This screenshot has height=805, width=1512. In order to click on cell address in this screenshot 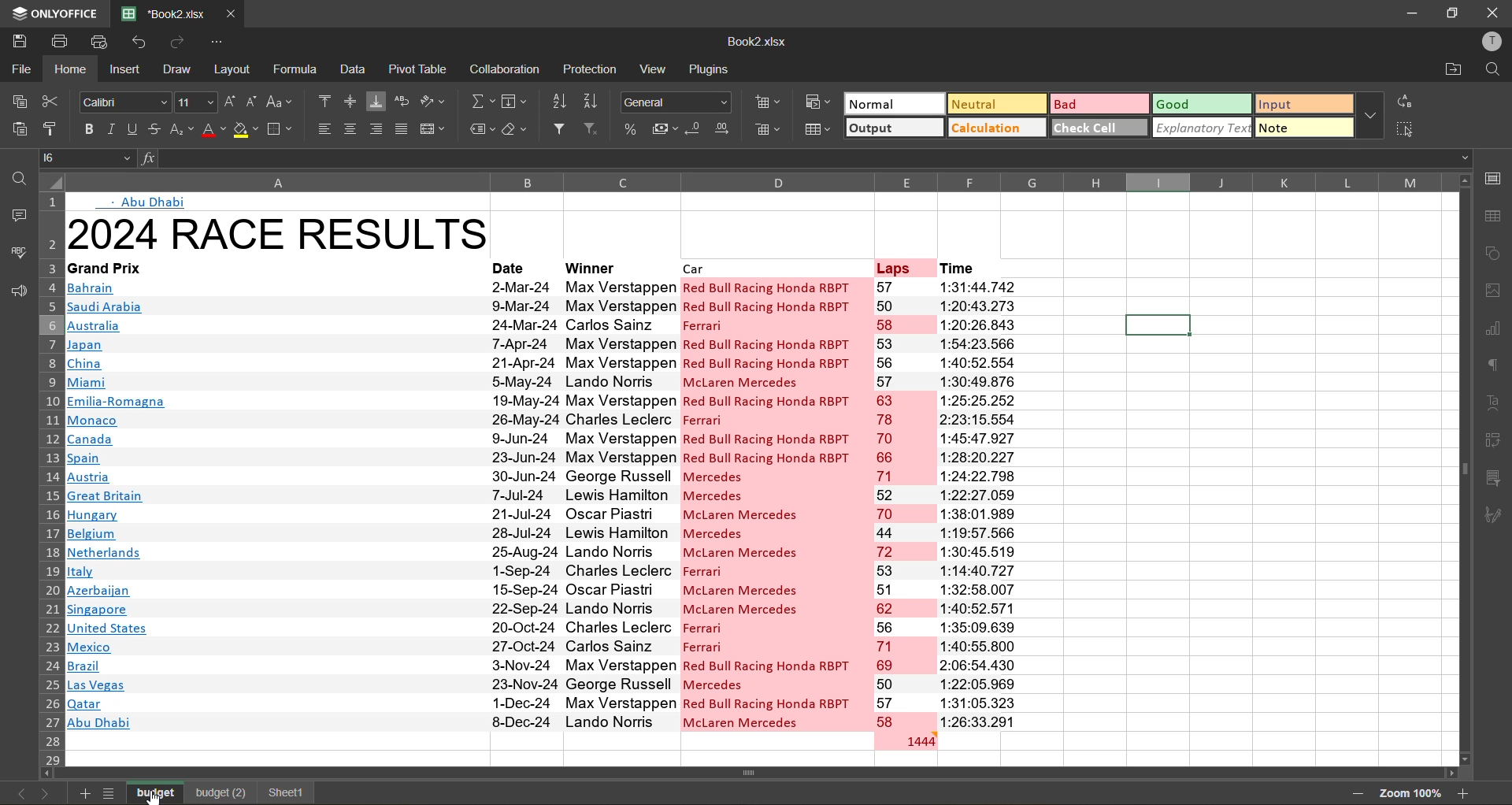, I will do `click(90, 157)`.